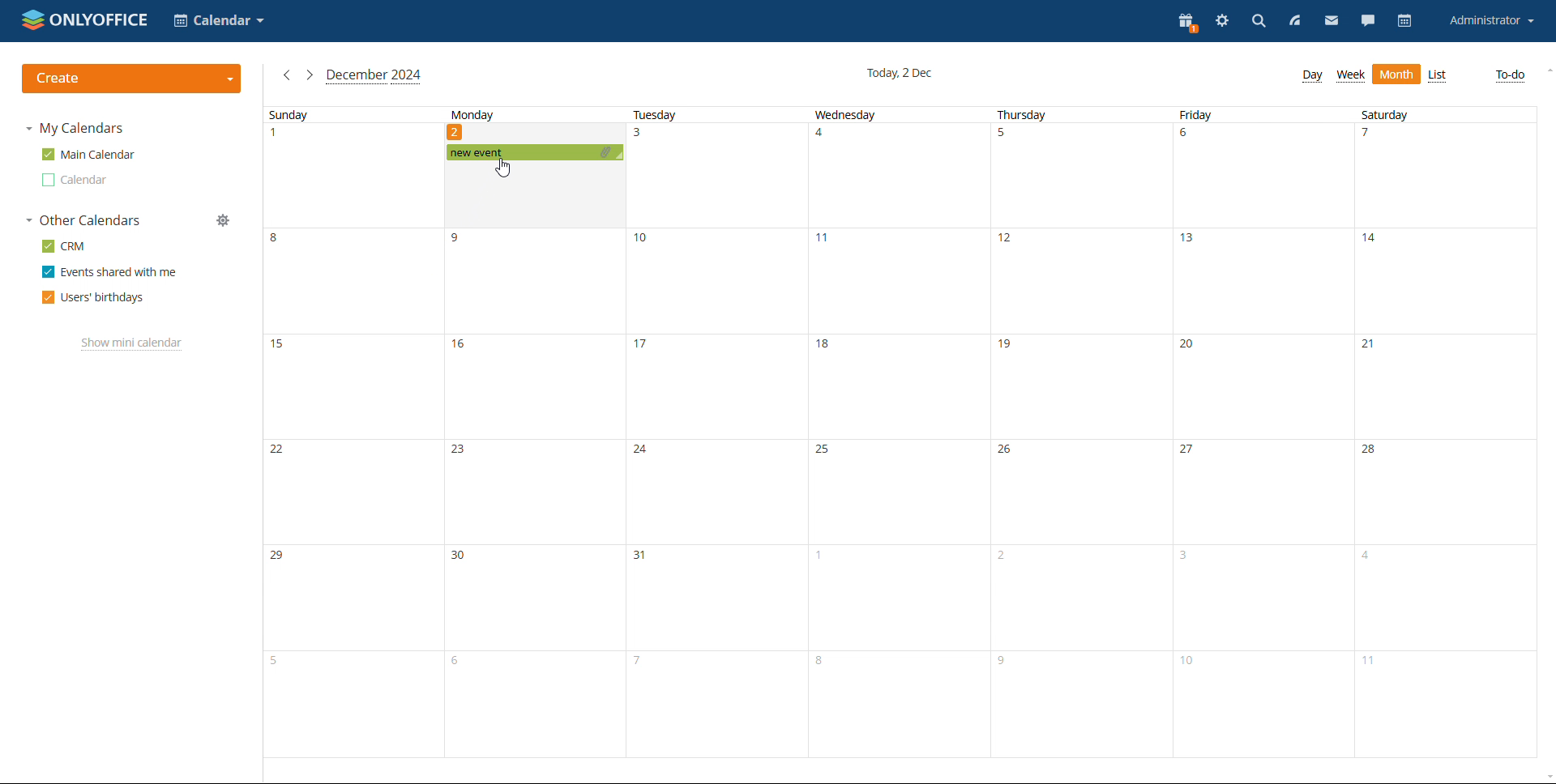 This screenshot has width=1556, height=784. What do you see at coordinates (828, 242) in the screenshot?
I see `11` at bounding box center [828, 242].